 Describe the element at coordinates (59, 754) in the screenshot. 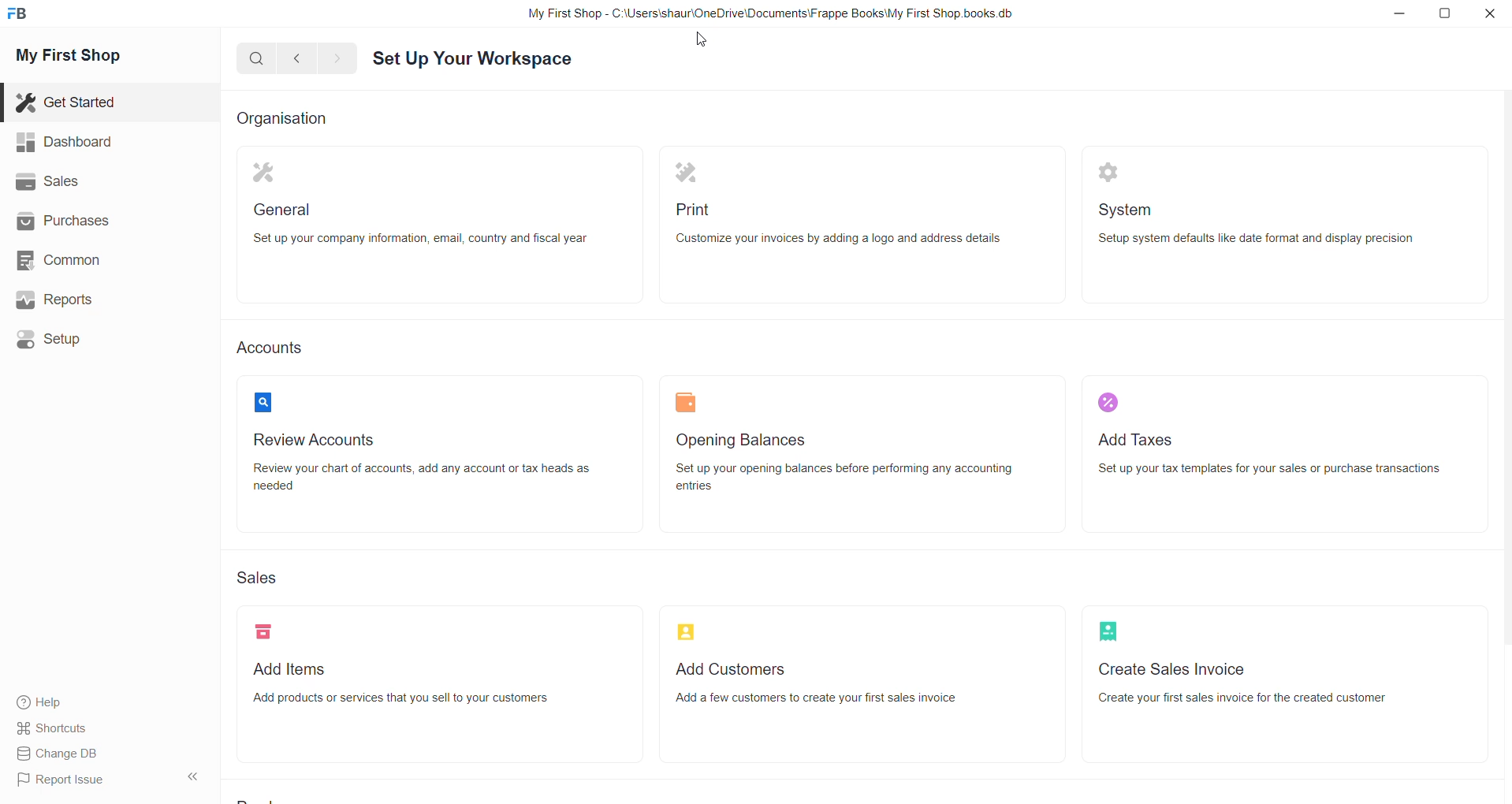

I see `Change DB` at that location.